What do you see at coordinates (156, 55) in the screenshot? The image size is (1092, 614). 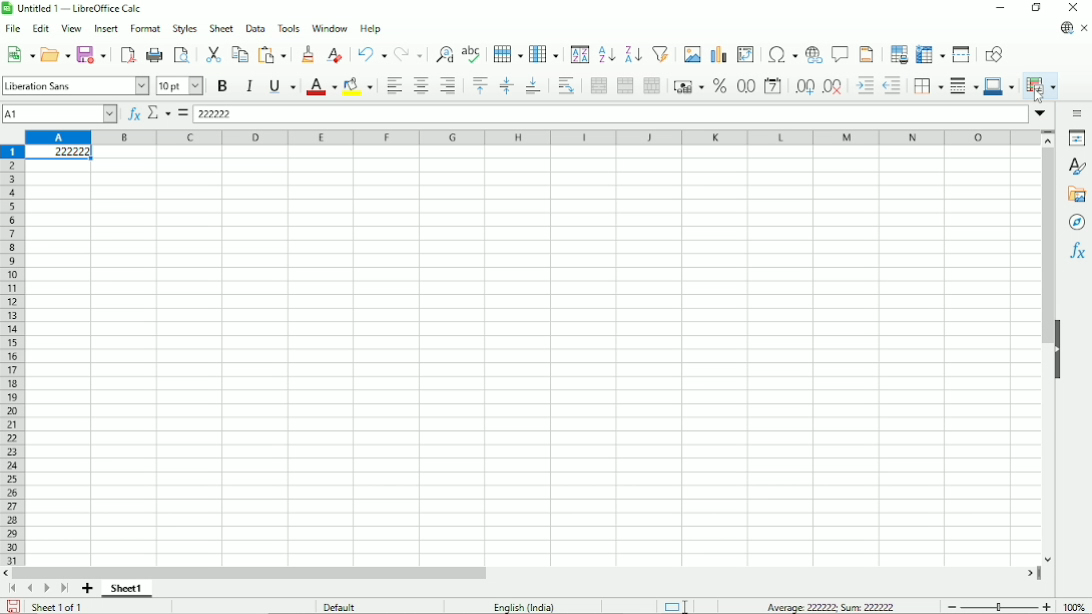 I see `Print` at bounding box center [156, 55].